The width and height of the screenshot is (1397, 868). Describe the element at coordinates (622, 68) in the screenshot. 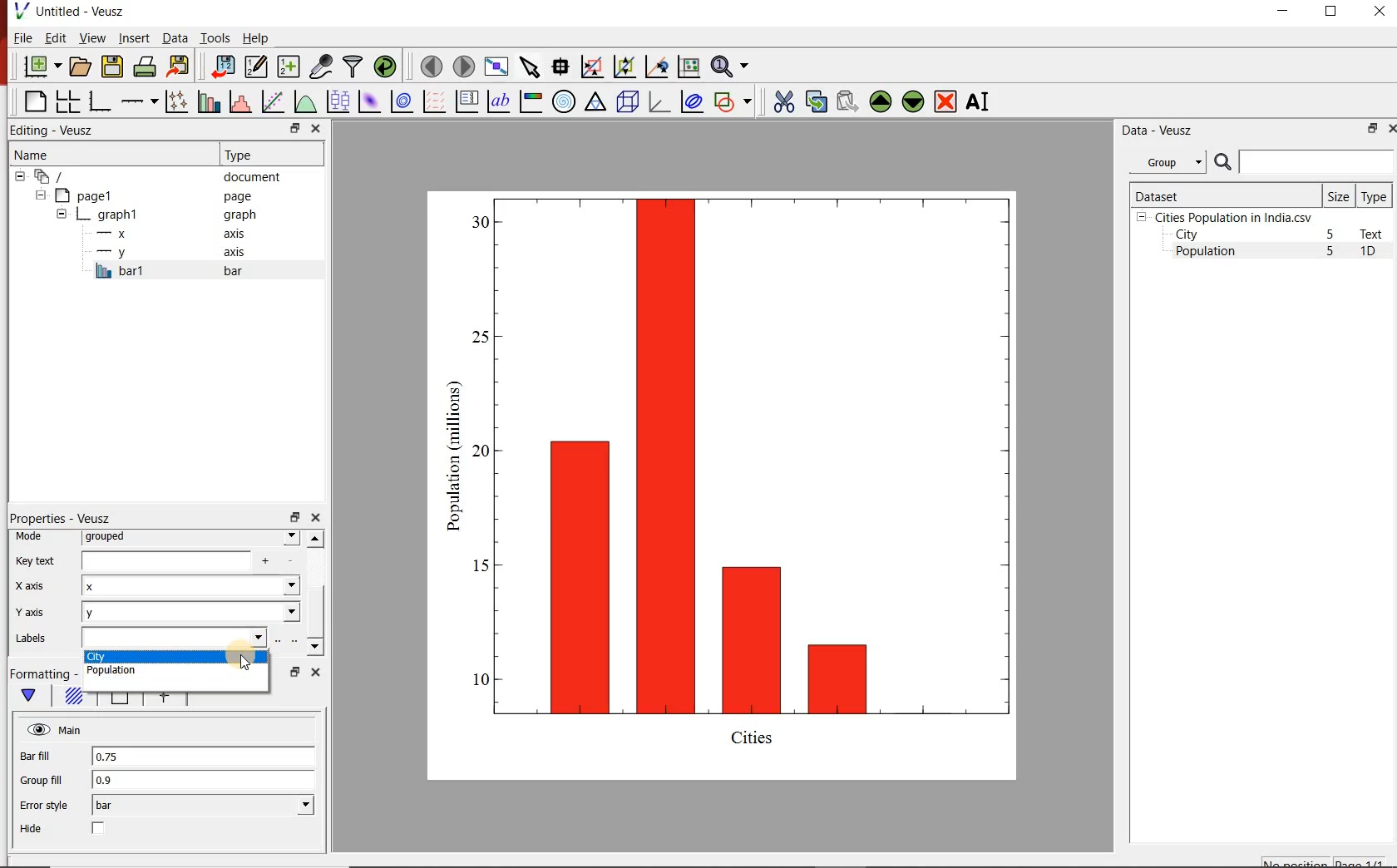

I see `click to zoom out of graph axes` at that location.